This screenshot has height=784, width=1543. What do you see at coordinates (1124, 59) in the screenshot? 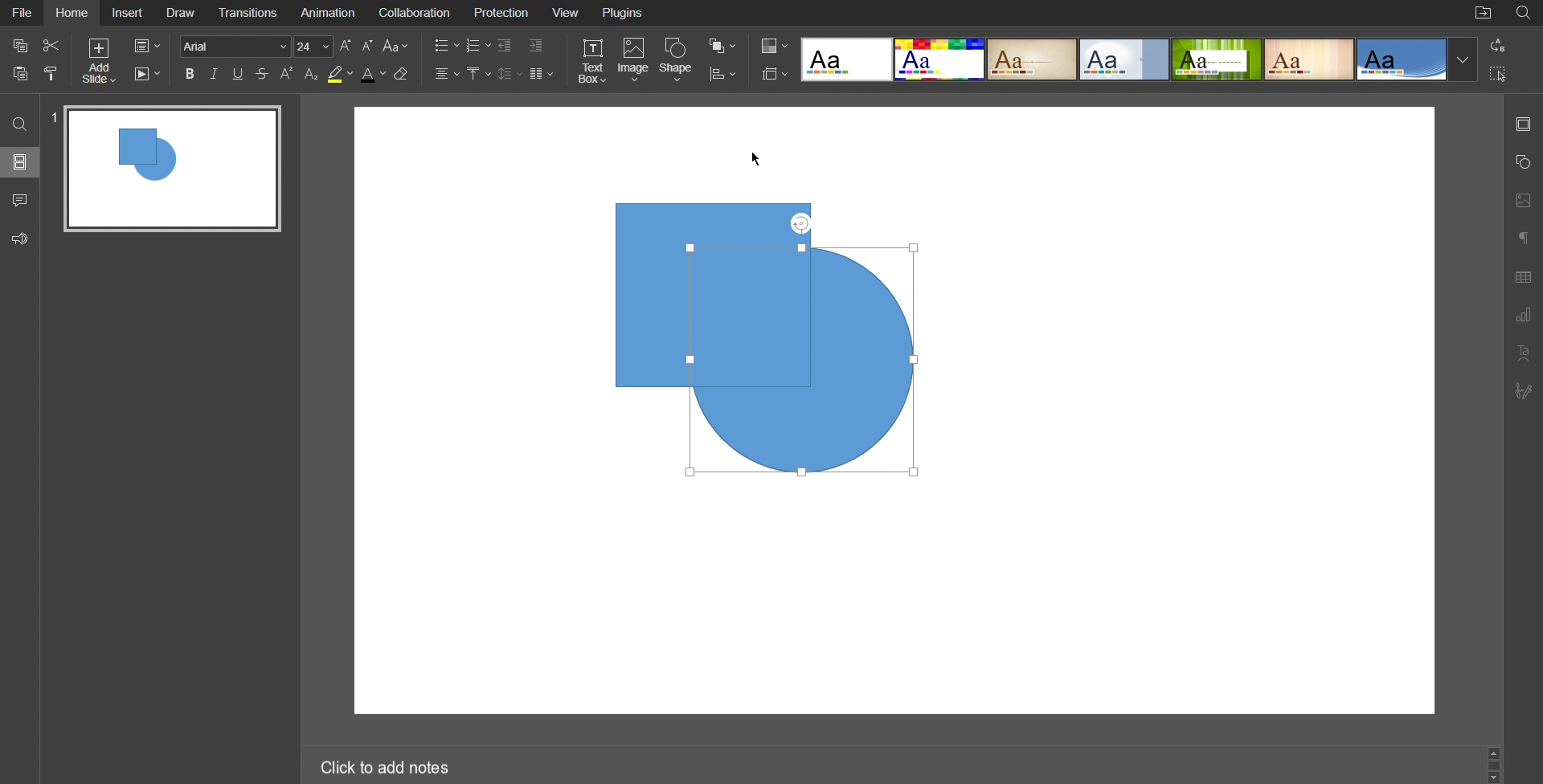
I see `Official` at bounding box center [1124, 59].